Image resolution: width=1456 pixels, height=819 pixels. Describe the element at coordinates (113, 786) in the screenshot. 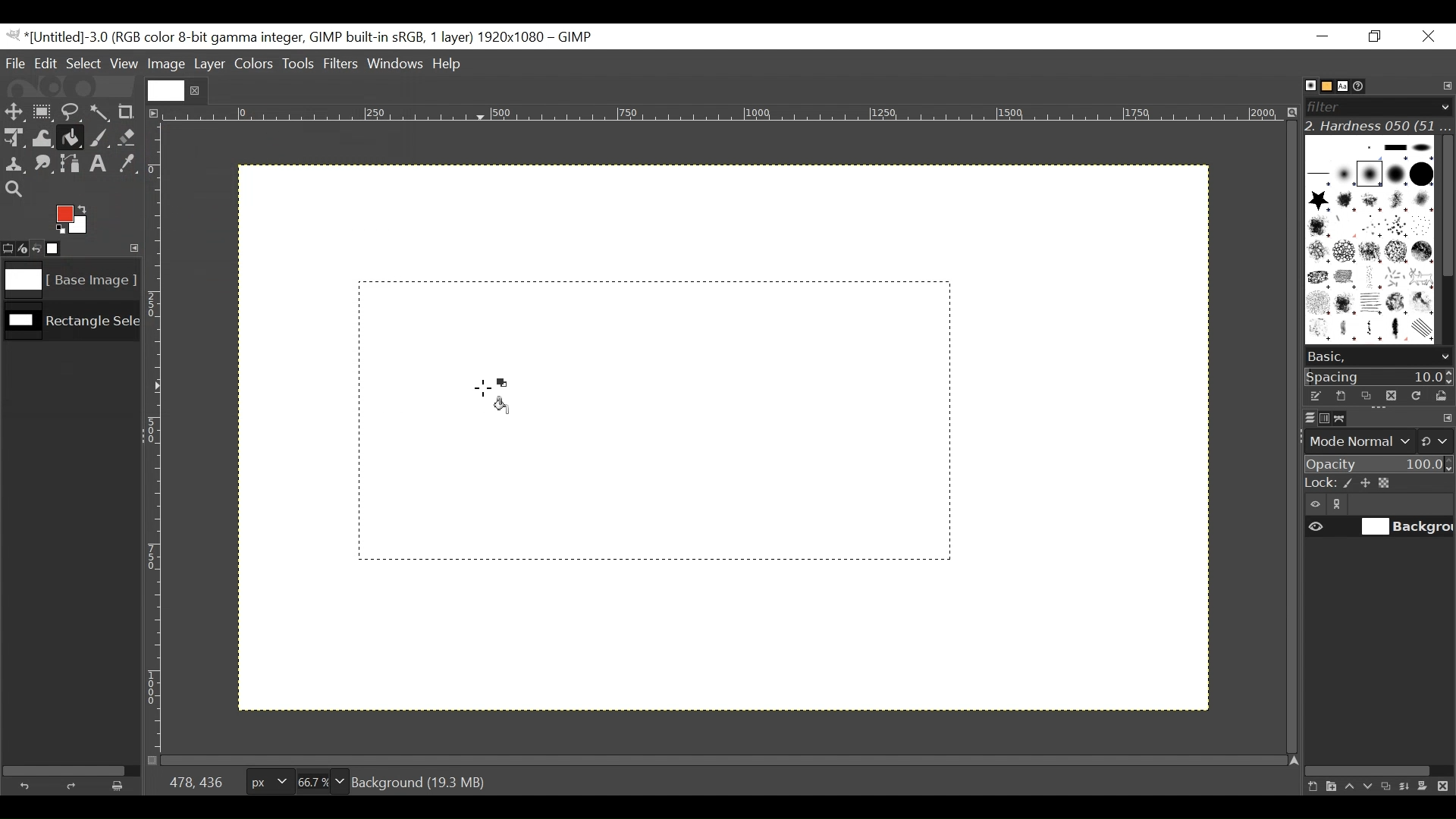

I see `Clear button` at that location.